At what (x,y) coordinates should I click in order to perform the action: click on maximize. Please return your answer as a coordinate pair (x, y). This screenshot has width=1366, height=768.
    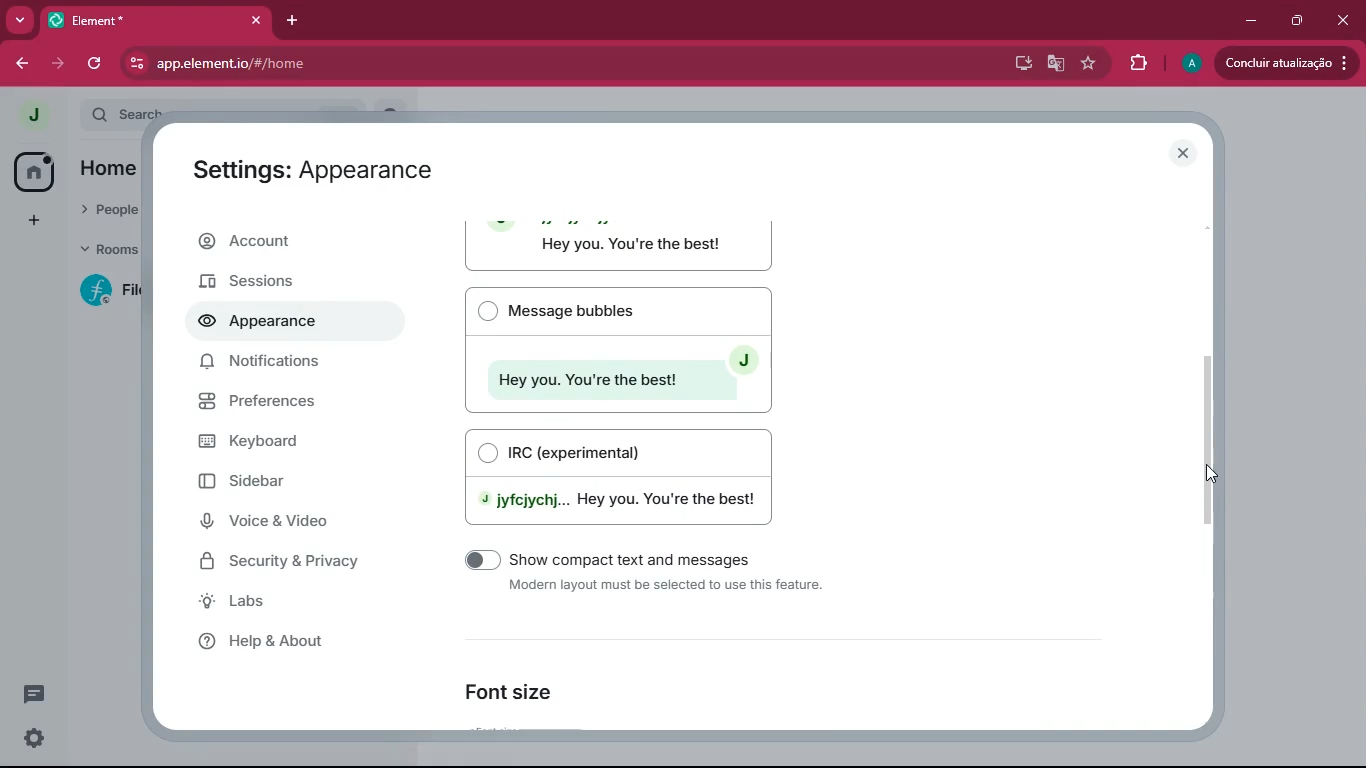
    Looking at the image, I should click on (1301, 19).